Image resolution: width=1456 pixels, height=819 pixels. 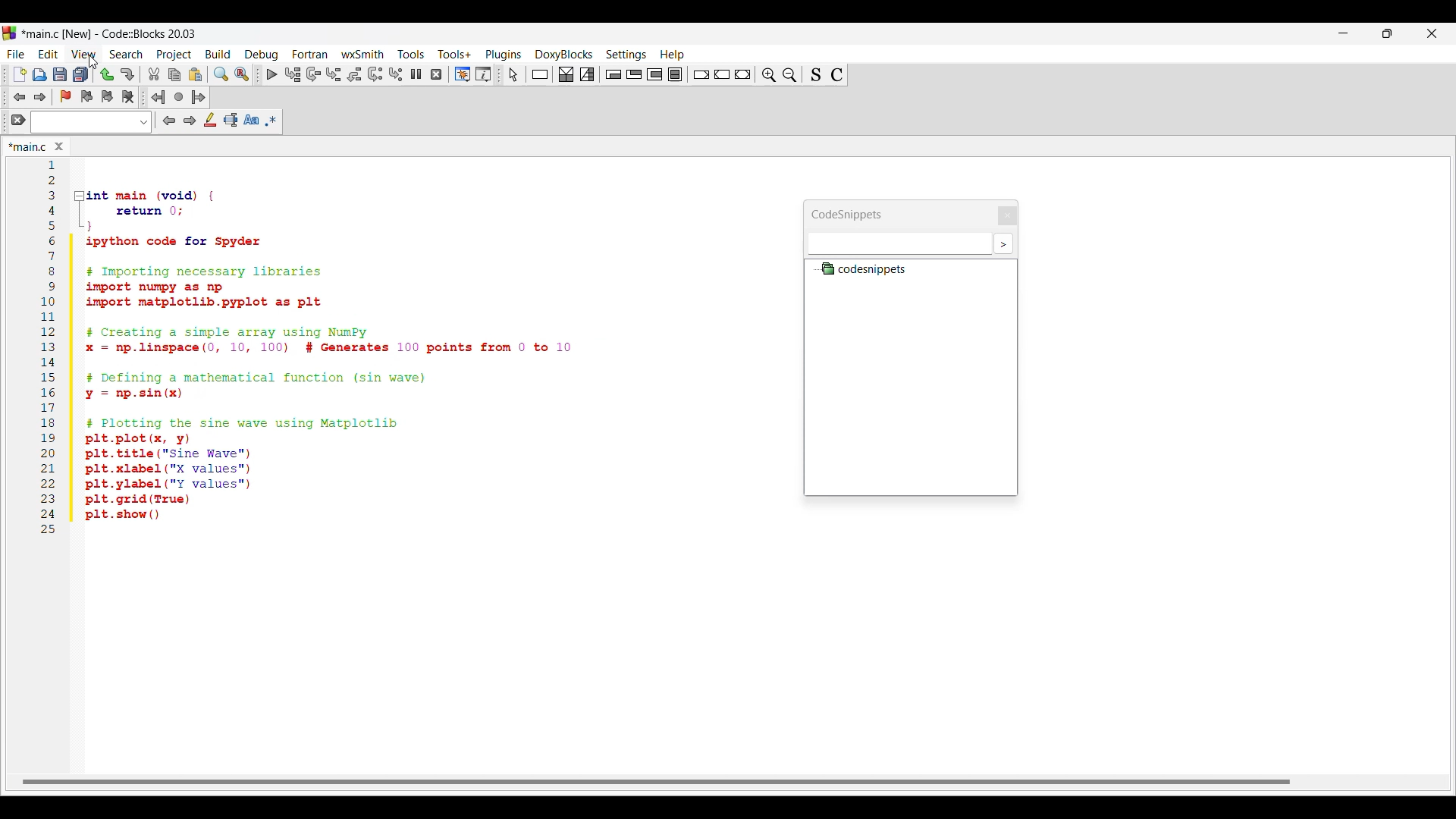 What do you see at coordinates (540, 74) in the screenshot?
I see `Instruction` at bounding box center [540, 74].